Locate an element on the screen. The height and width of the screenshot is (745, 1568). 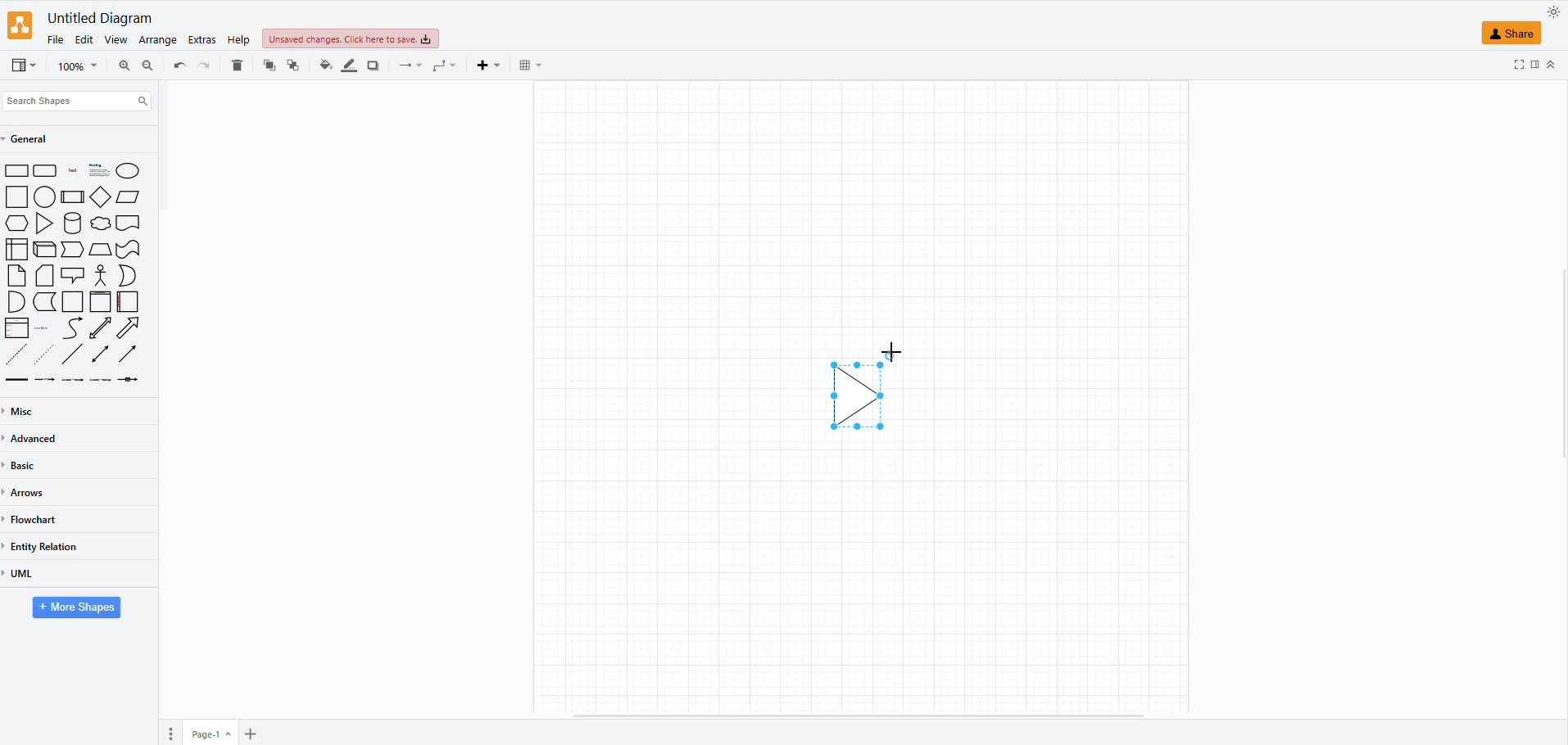
Circle is located at coordinates (128, 170).